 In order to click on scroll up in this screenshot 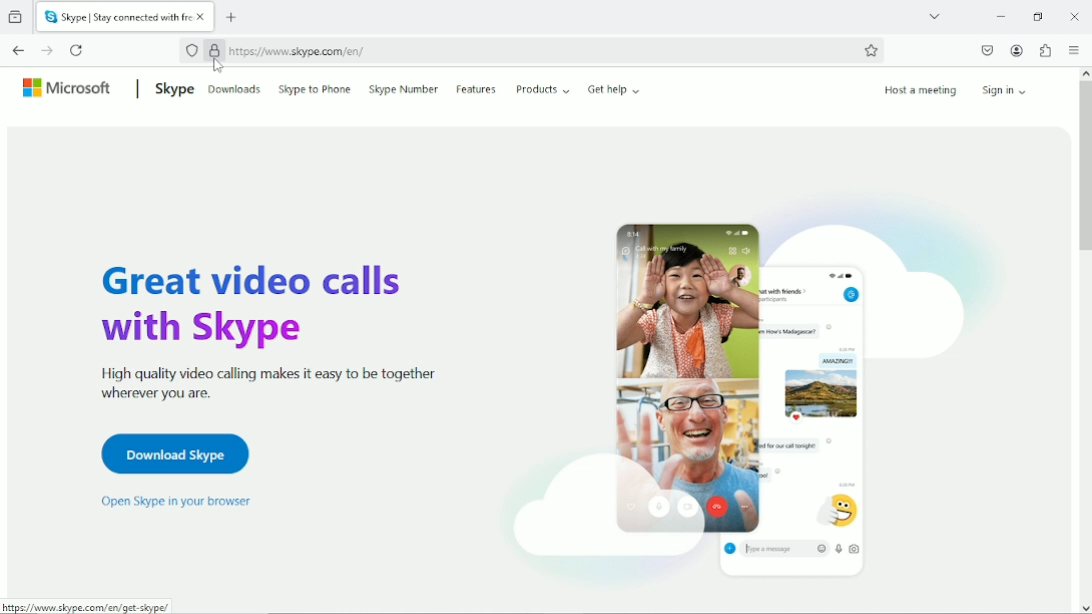, I will do `click(1083, 74)`.